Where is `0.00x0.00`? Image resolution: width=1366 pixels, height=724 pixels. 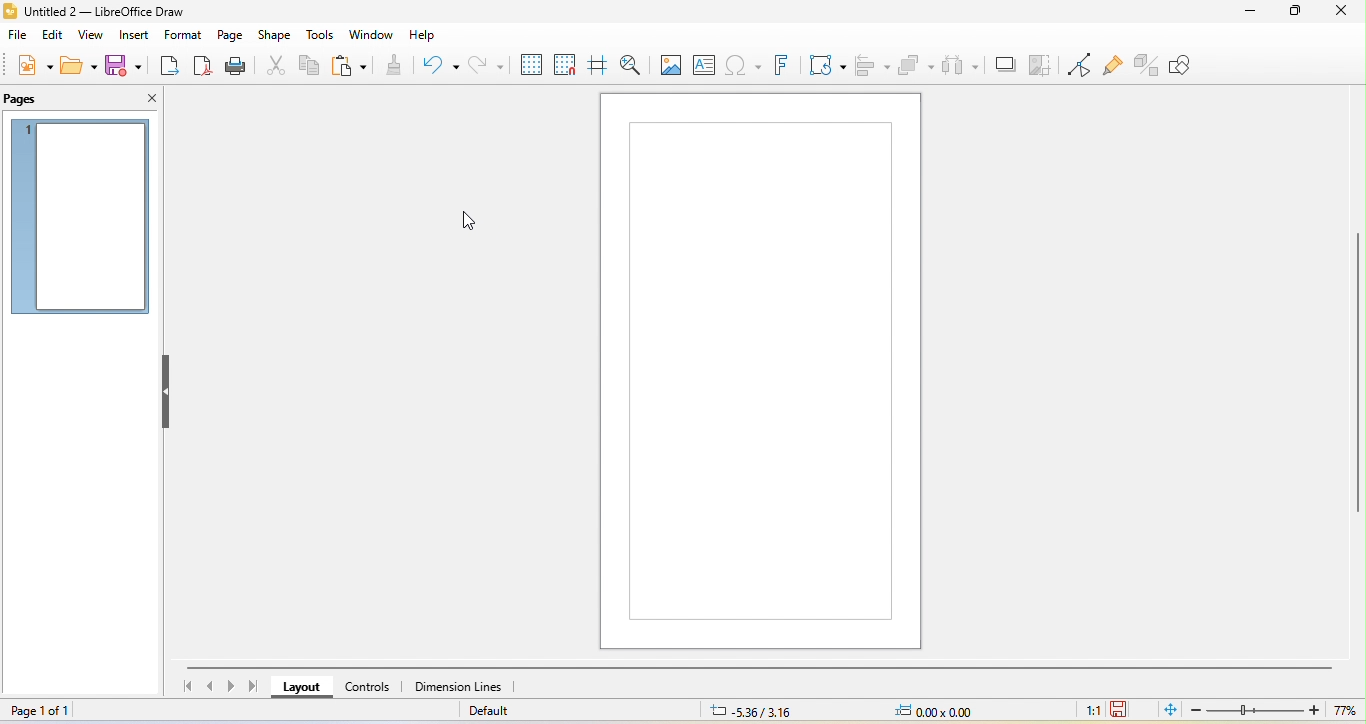 0.00x0.00 is located at coordinates (933, 710).